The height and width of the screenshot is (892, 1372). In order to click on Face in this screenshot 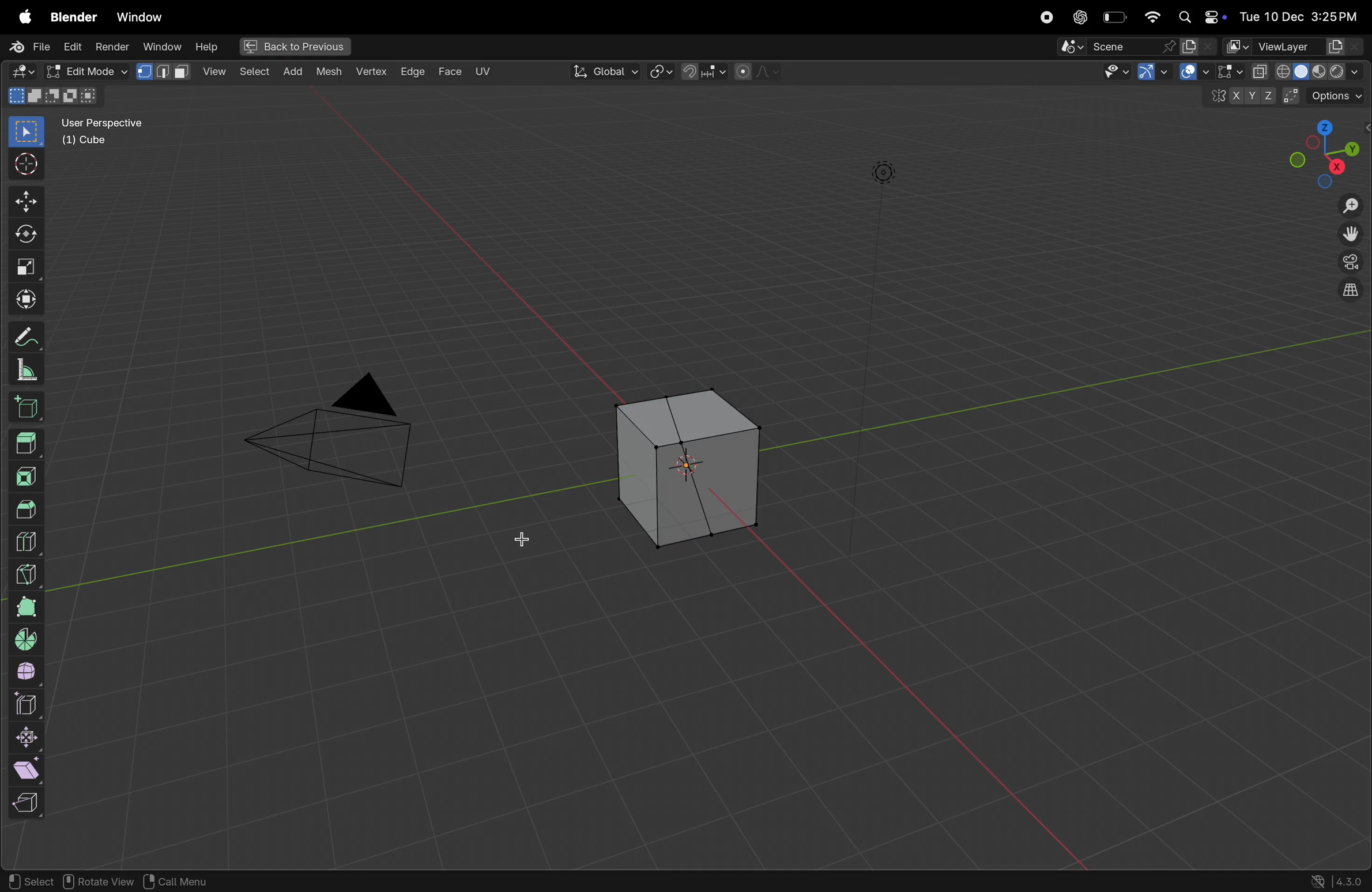, I will do `click(451, 71)`.